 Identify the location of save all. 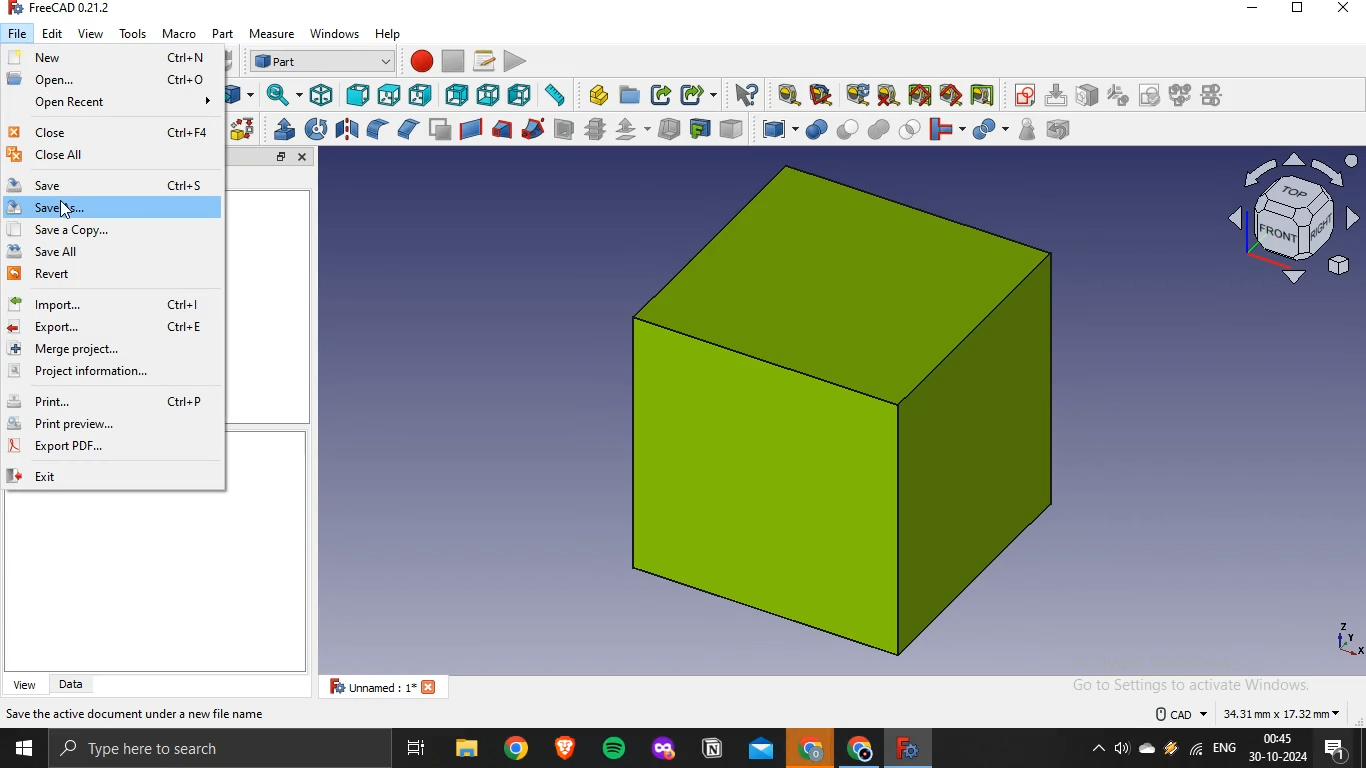
(107, 252).